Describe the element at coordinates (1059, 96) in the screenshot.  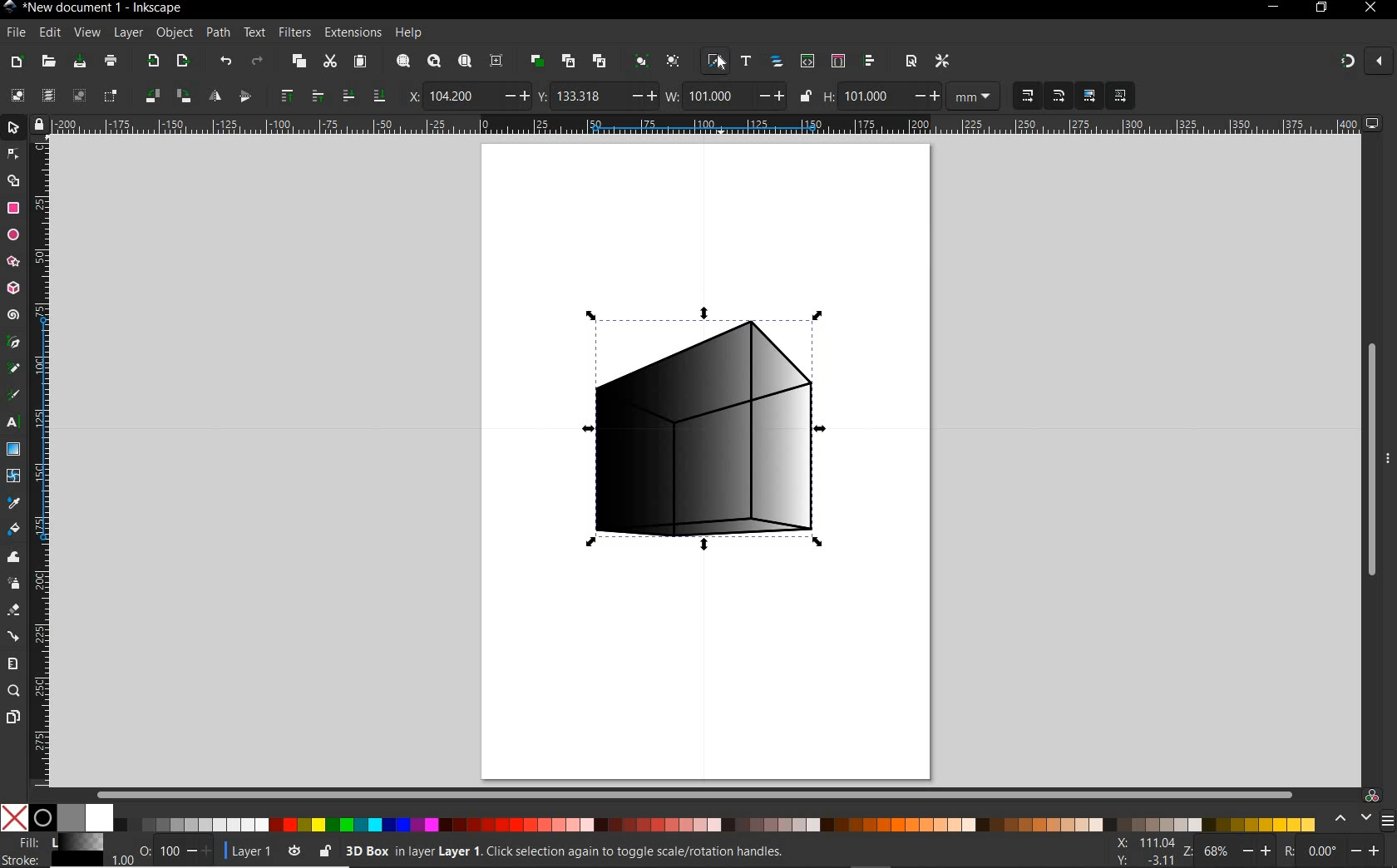
I see `SCALING` at that location.